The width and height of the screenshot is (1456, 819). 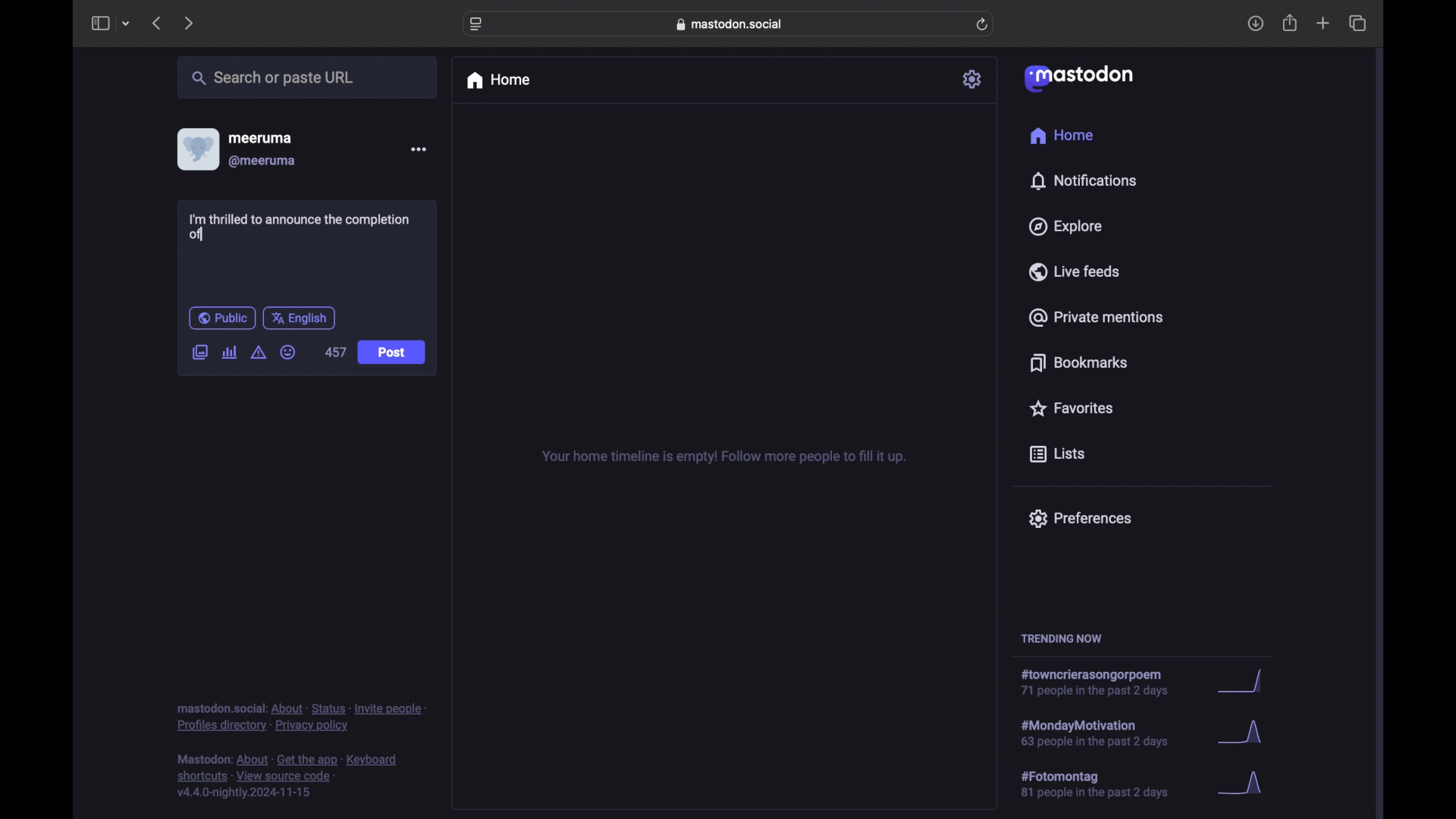 What do you see at coordinates (231, 353) in the screenshot?
I see `add poll` at bounding box center [231, 353].